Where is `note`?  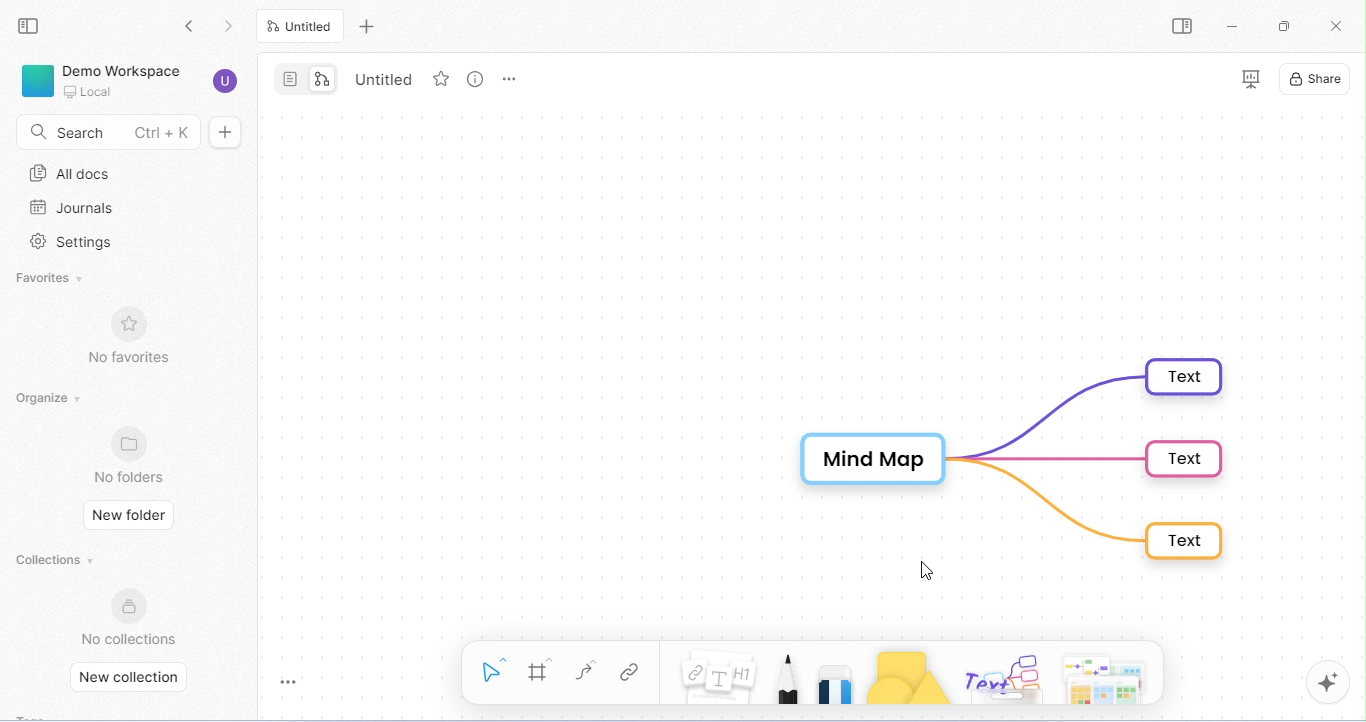
note is located at coordinates (720, 678).